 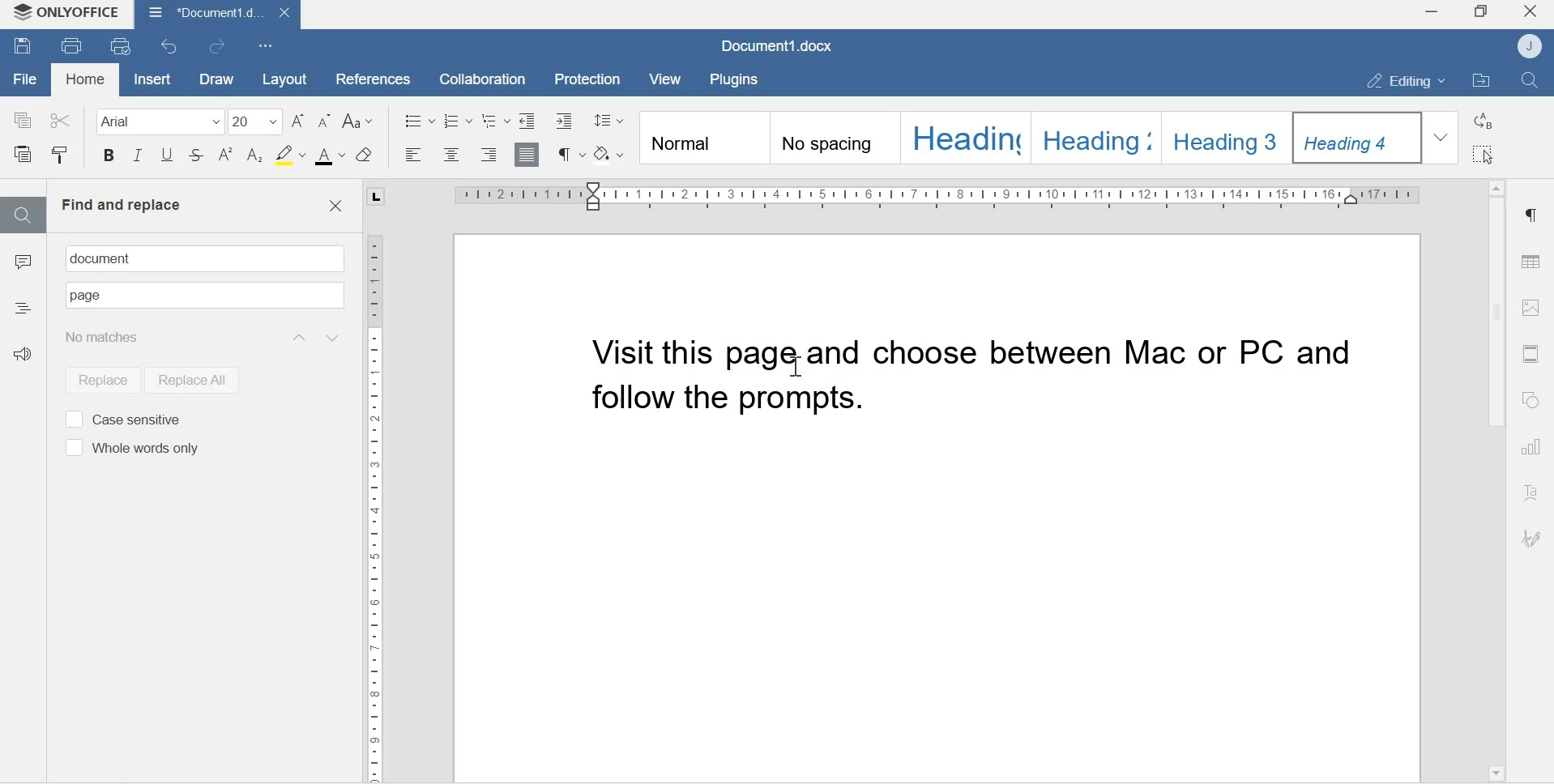 What do you see at coordinates (255, 156) in the screenshot?
I see `Subscript` at bounding box center [255, 156].